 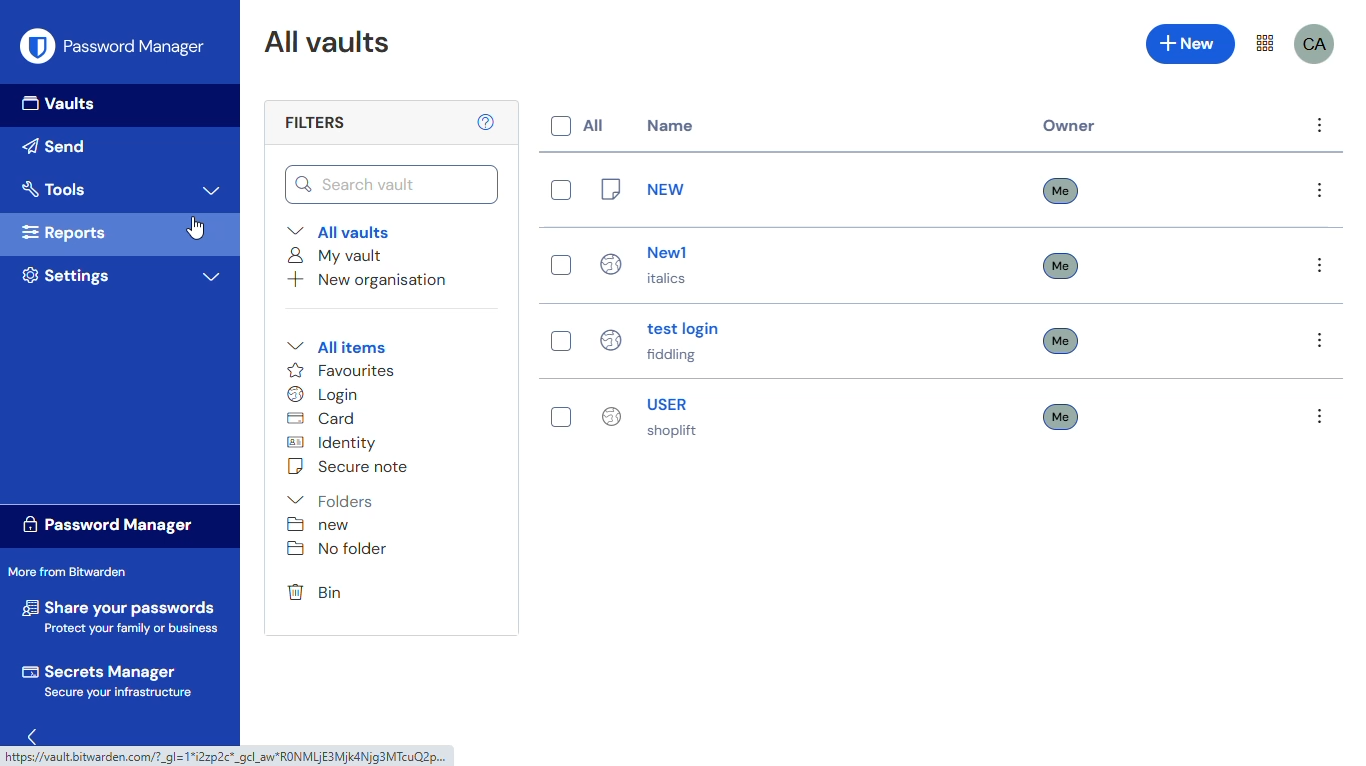 I want to click on filters, so click(x=316, y=122).